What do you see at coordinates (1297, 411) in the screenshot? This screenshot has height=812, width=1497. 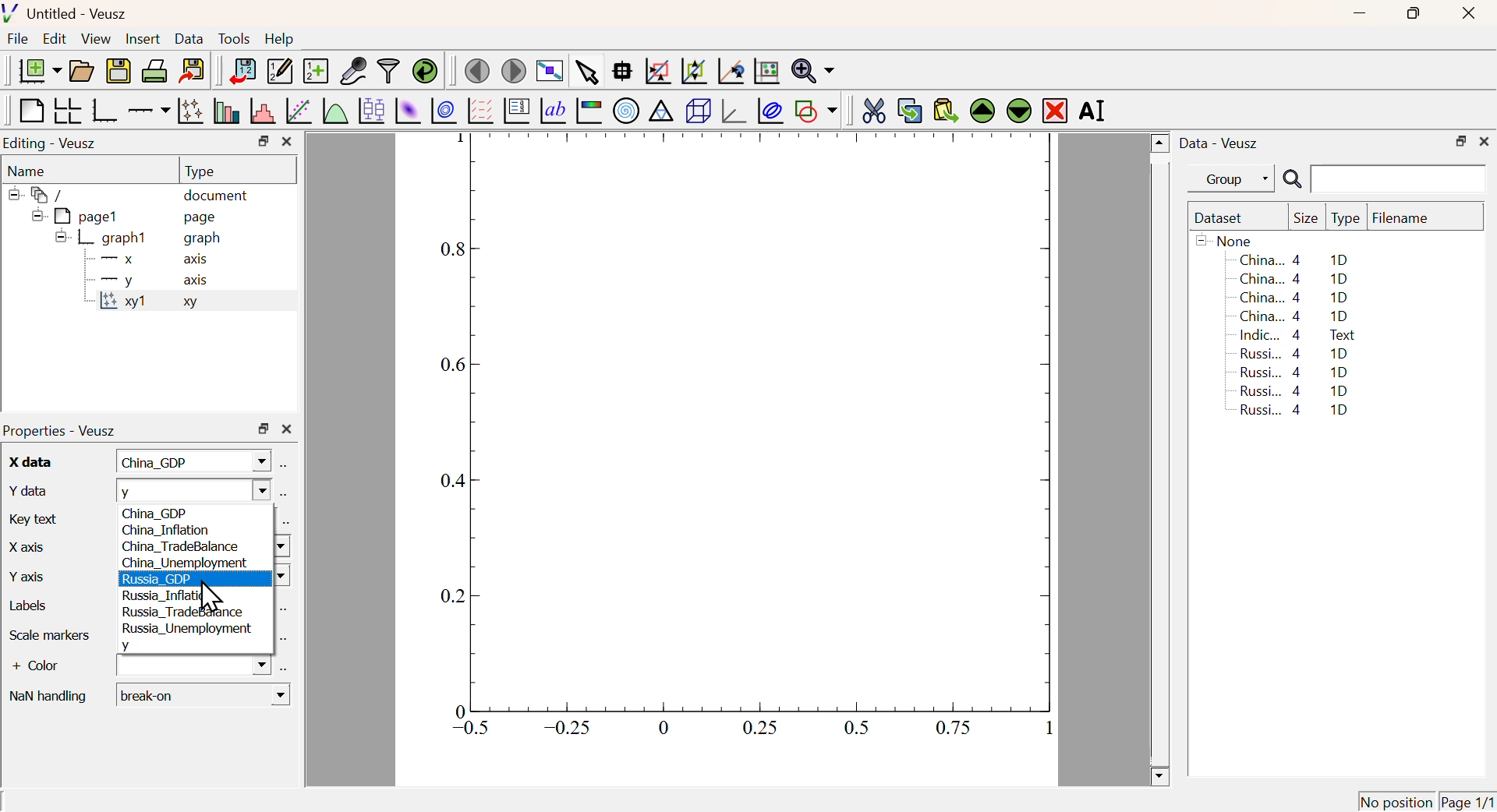 I see `Russi... 4 1D` at bounding box center [1297, 411].